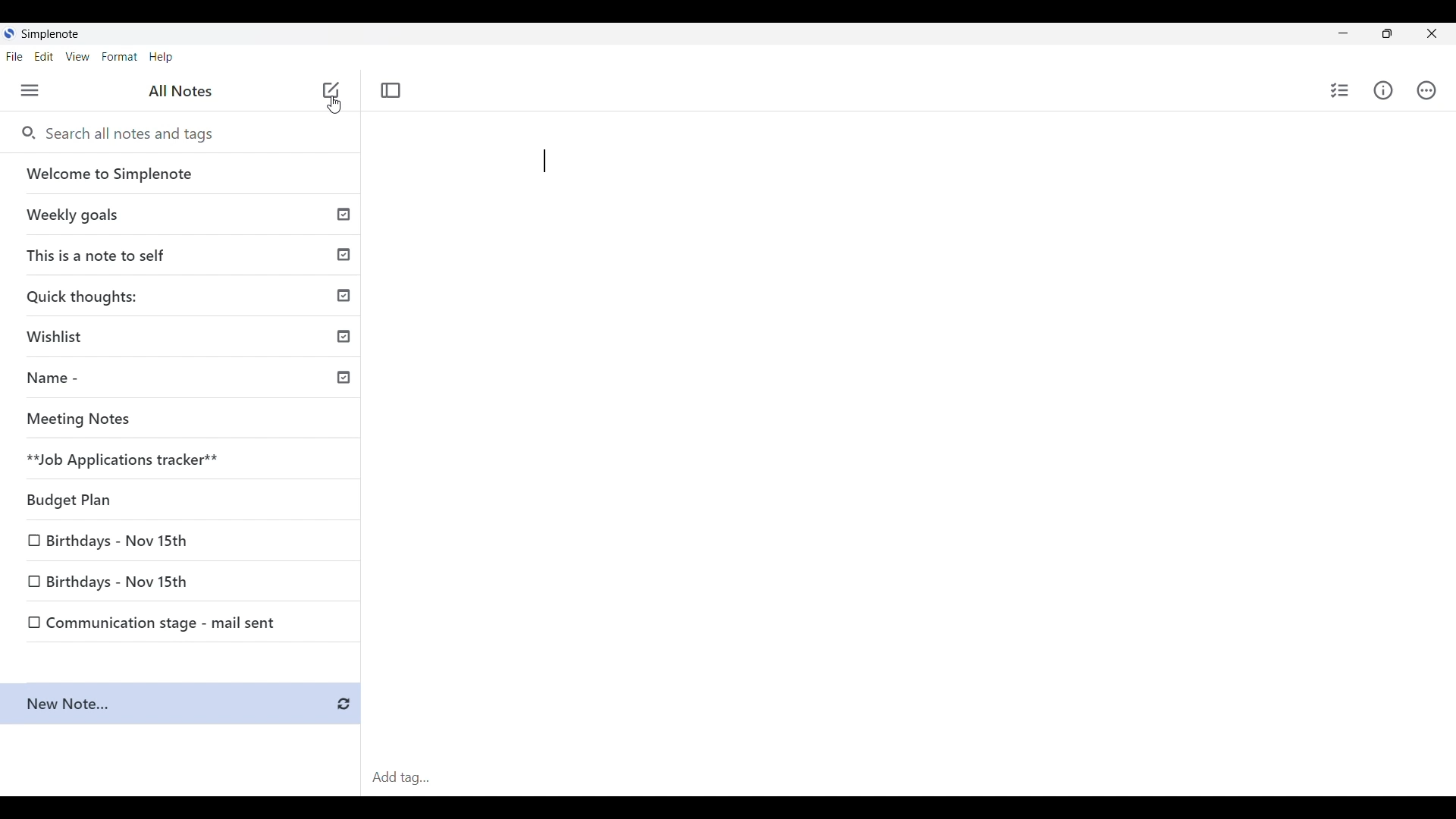 The width and height of the screenshot is (1456, 819). What do you see at coordinates (336, 109) in the screenshot?
I see `Cursor` at bounding box center [336, 109].